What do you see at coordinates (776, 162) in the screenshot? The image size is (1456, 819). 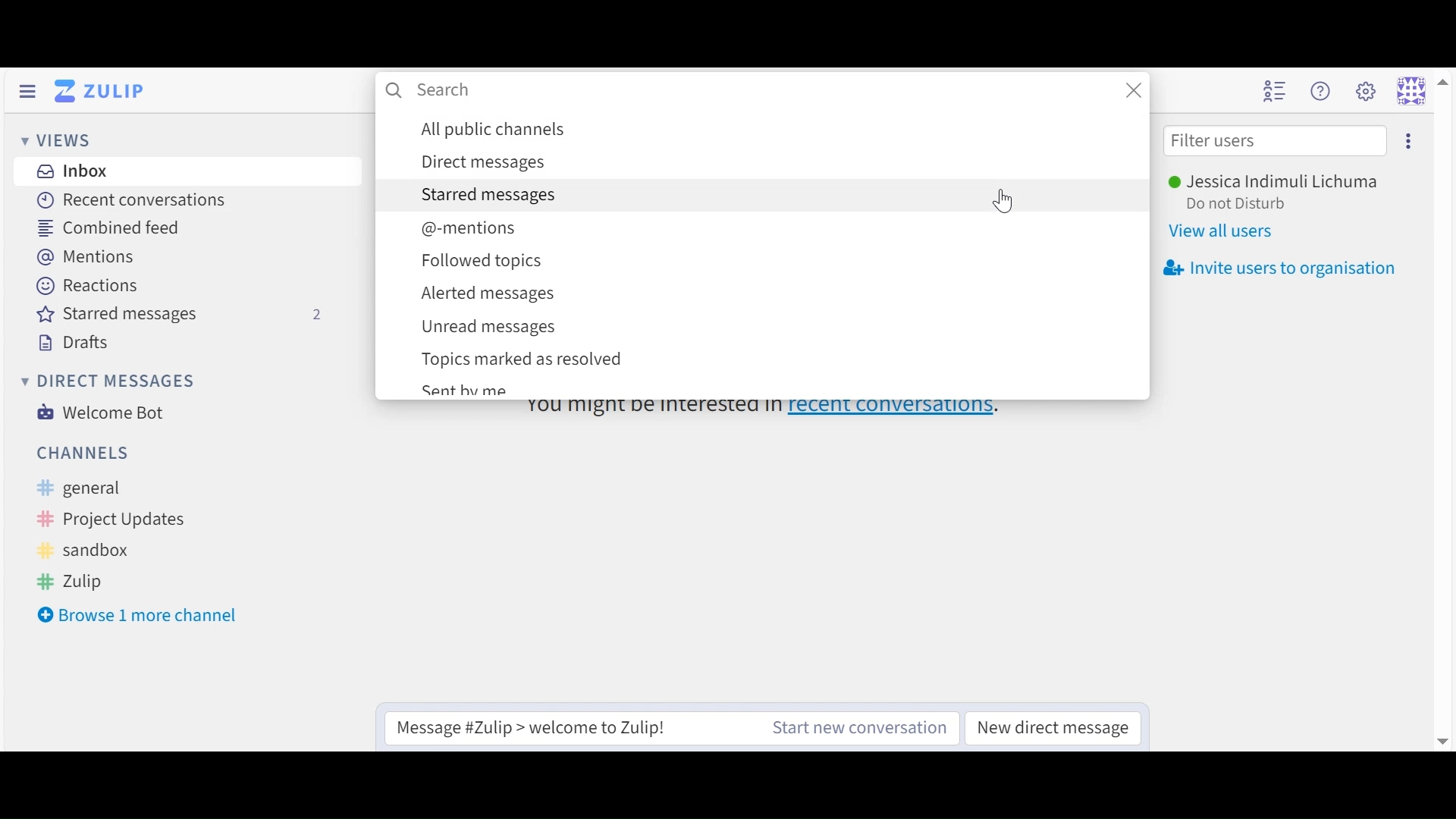 I see `Direct messages` at bounding box center [776, 162].